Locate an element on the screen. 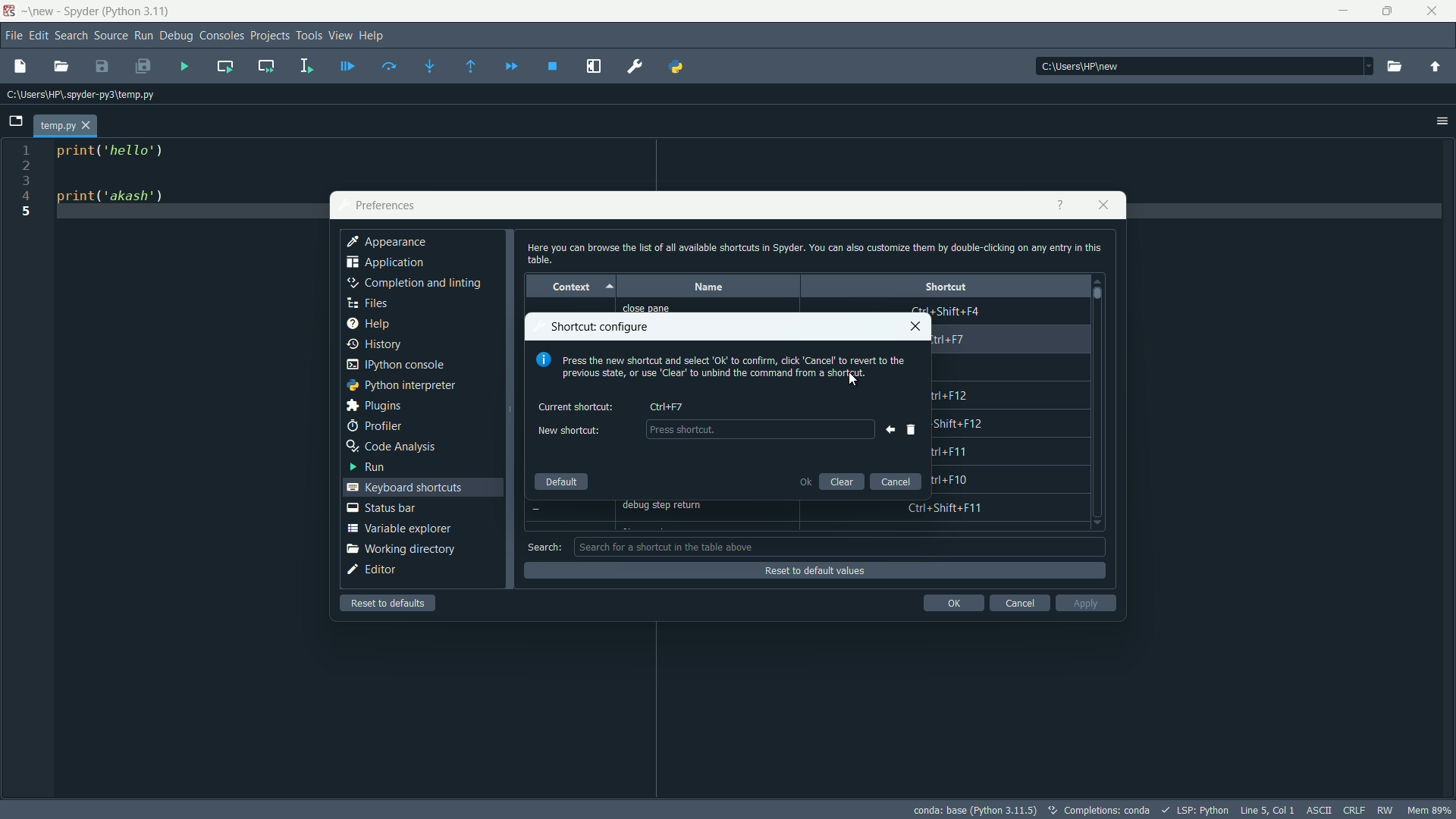  search menu is located at coordinates (72, 36).